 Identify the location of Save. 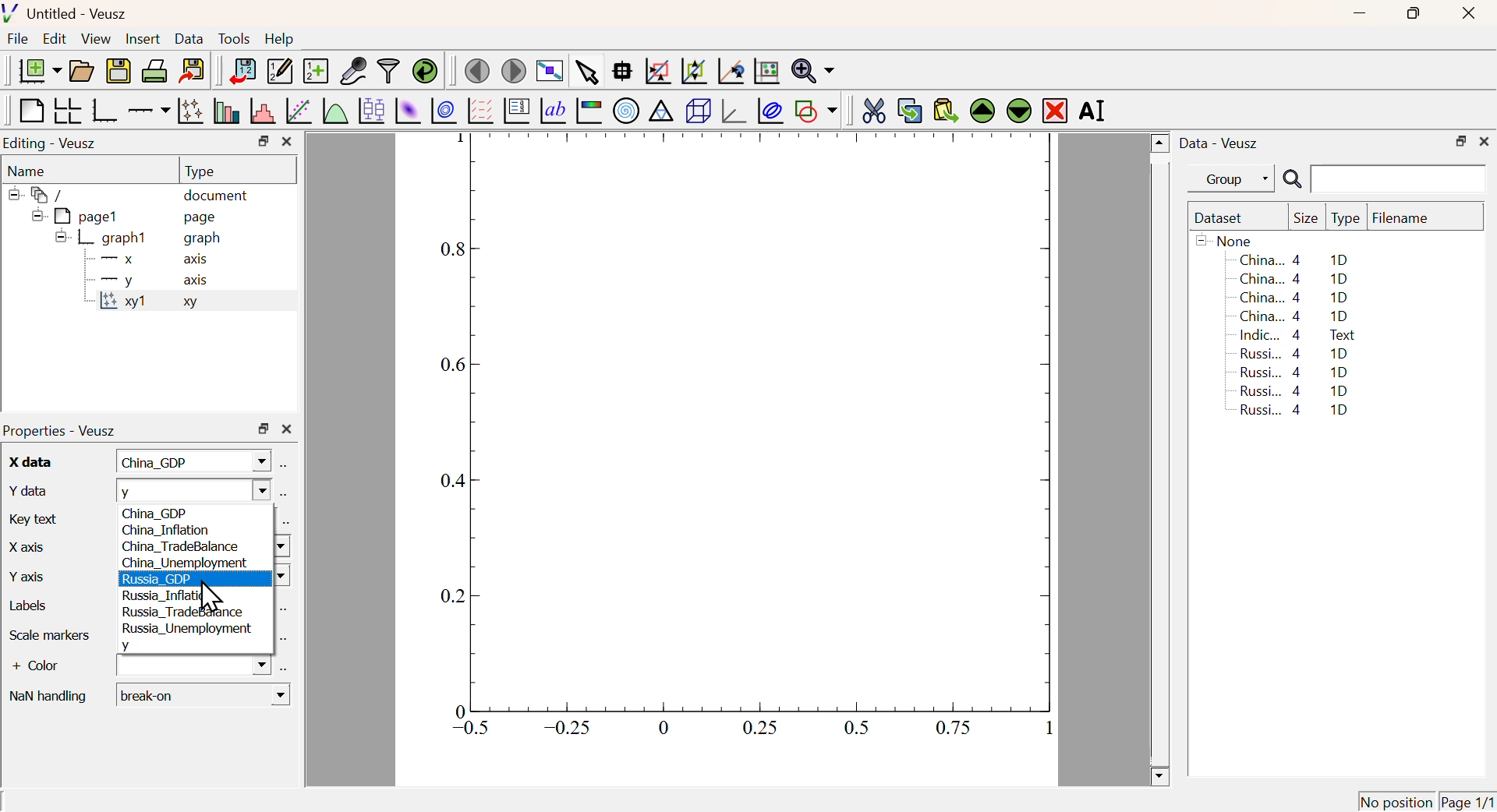
(119, 72).